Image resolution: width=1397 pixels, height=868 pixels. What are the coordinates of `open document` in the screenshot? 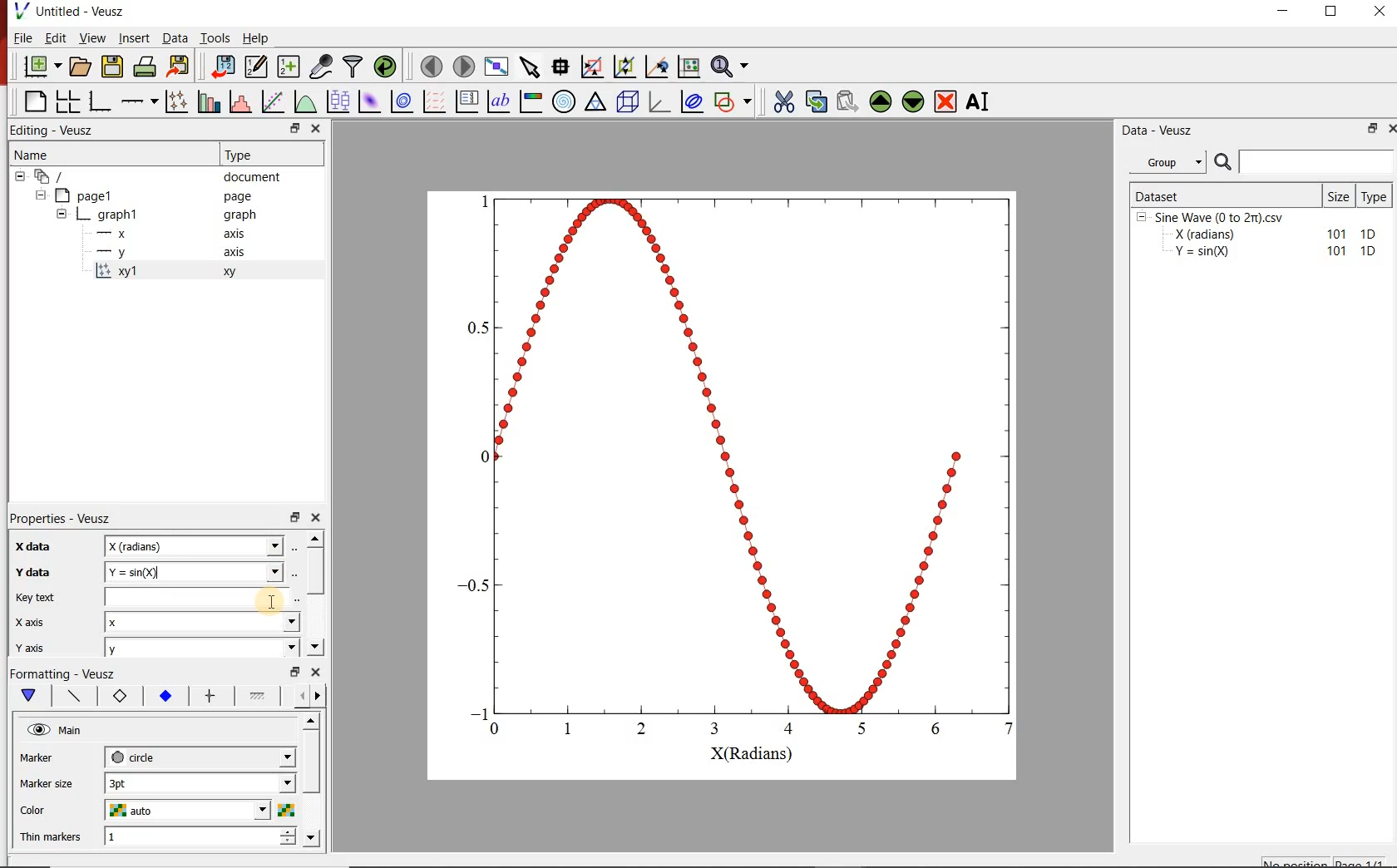 It's located at (81, 67).